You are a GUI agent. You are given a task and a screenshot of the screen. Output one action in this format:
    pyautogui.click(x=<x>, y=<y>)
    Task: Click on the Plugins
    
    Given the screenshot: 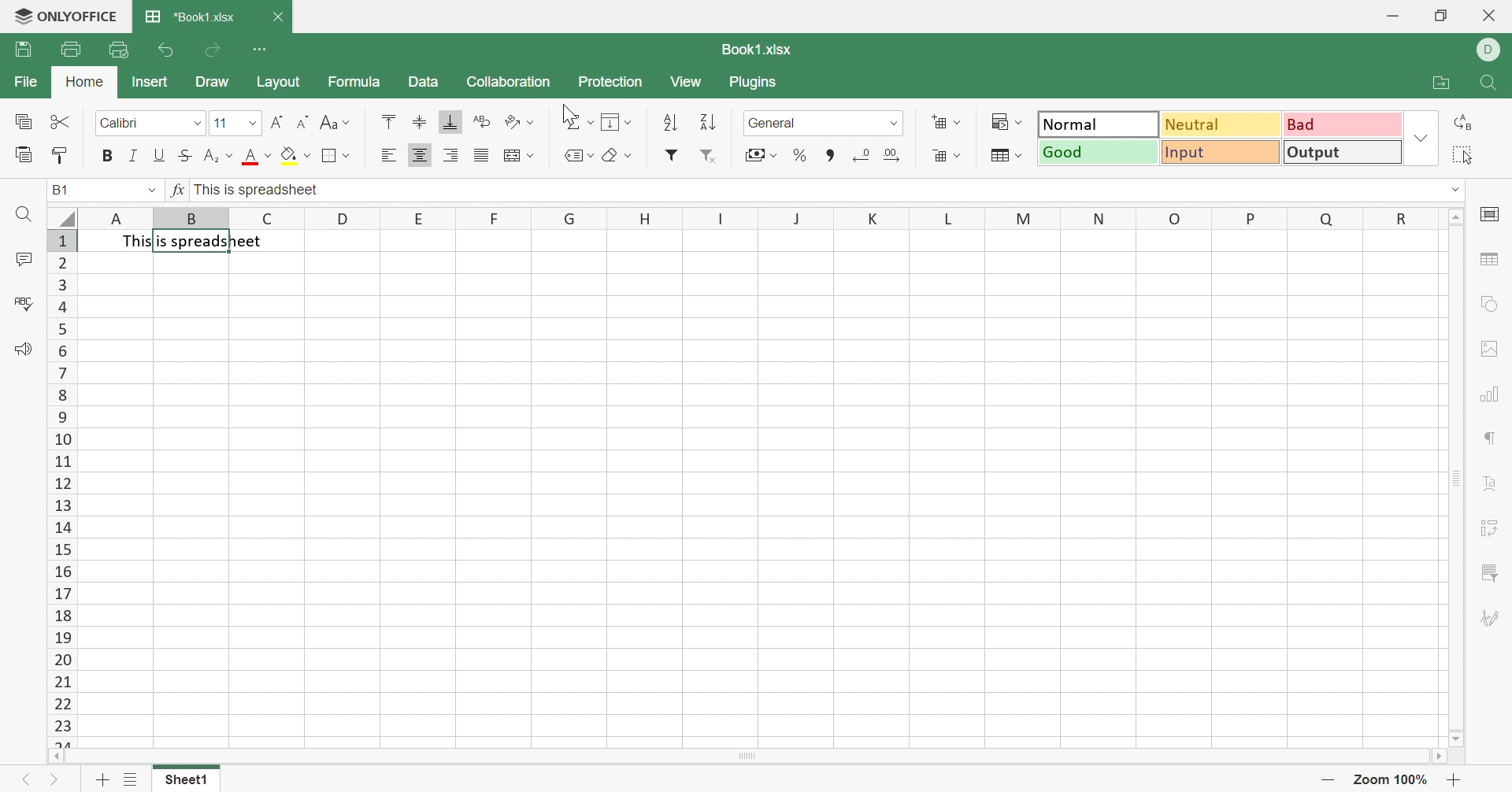 What is the action you would take?
    pyautogui.click(x=756, y=82)
    